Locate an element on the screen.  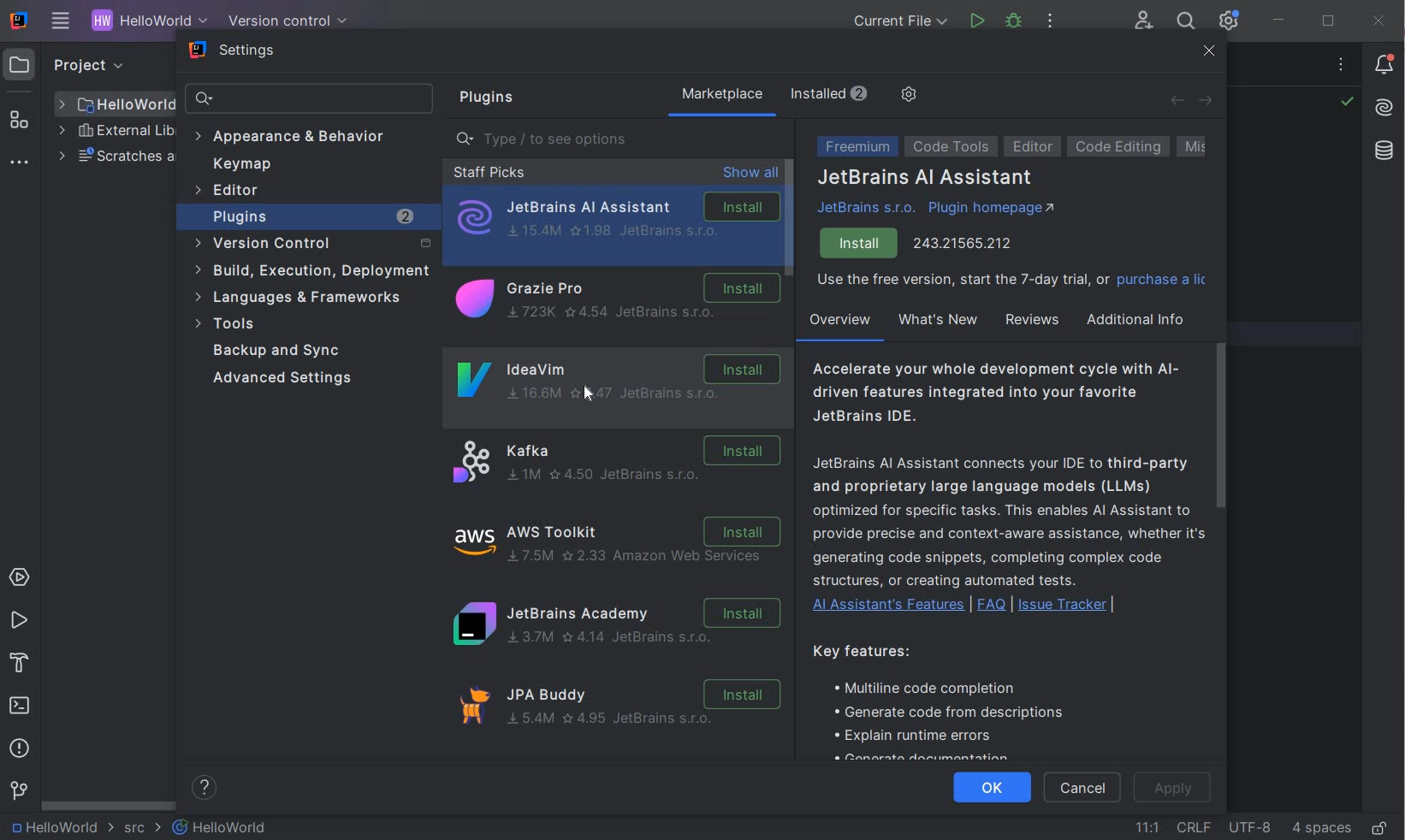
editor is located at coordinates (1034, 147).